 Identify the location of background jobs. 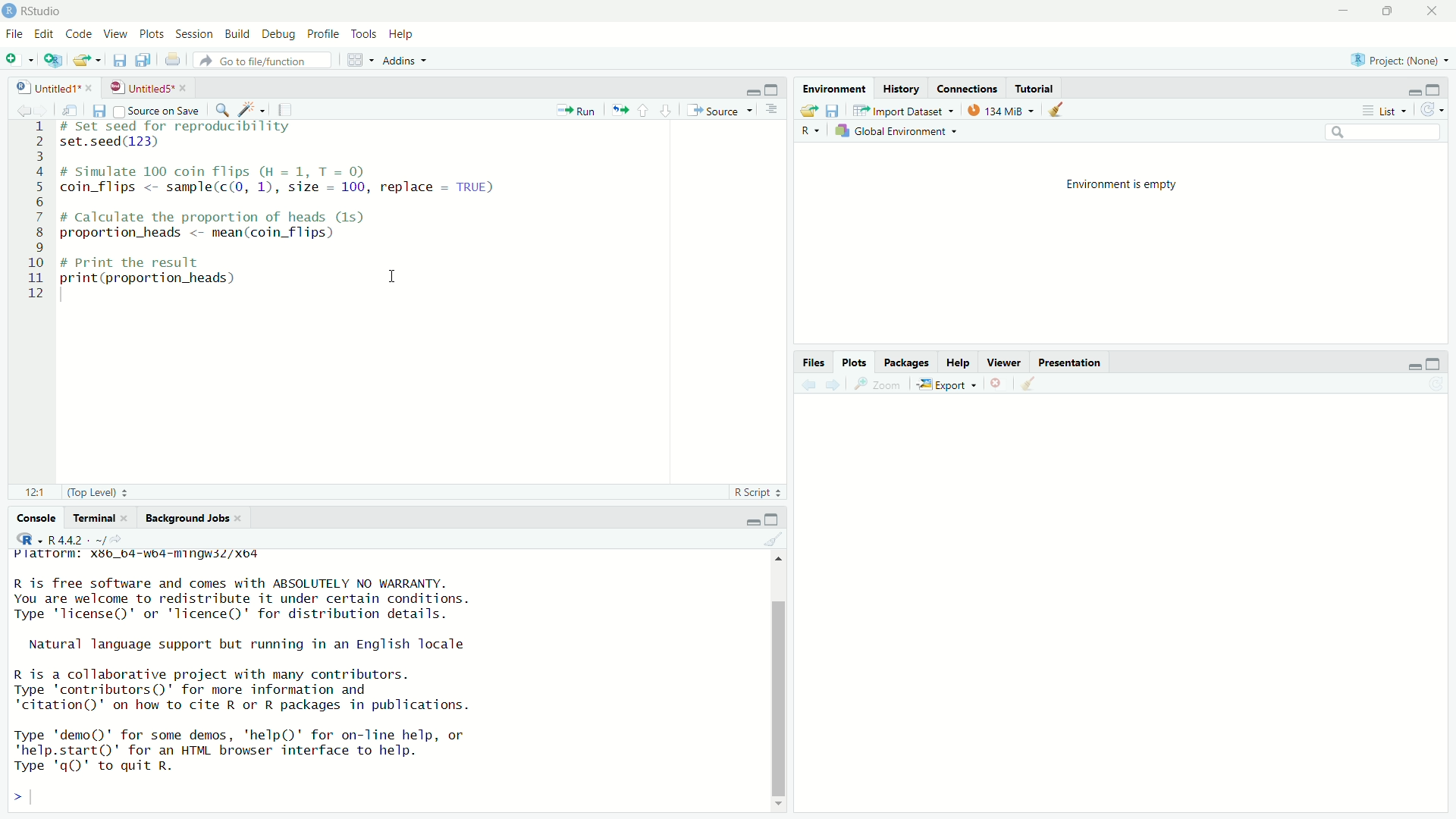
(187, 519).